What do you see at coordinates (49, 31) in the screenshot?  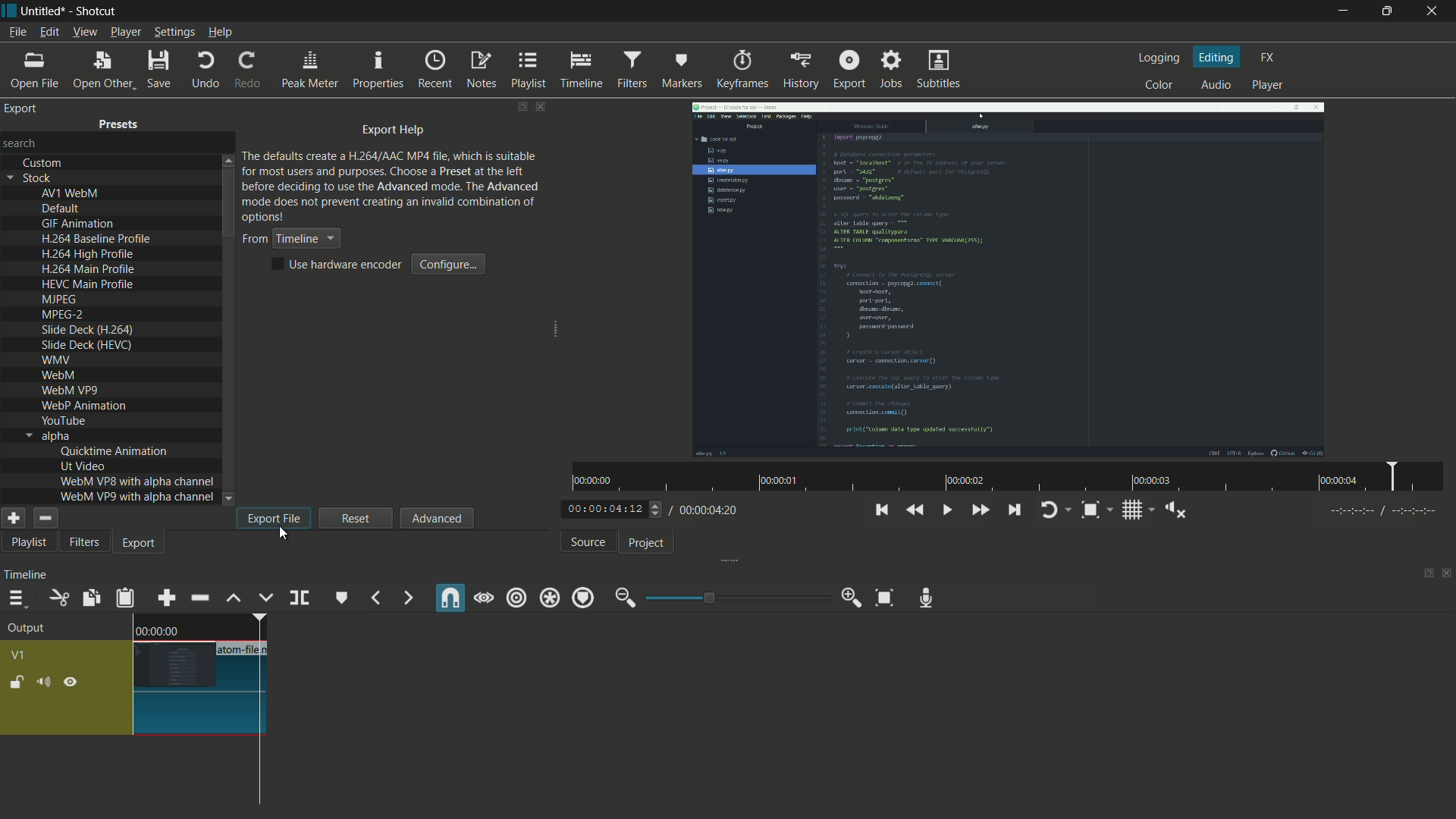 I see `edit menu` at bounding box center [49, 31].